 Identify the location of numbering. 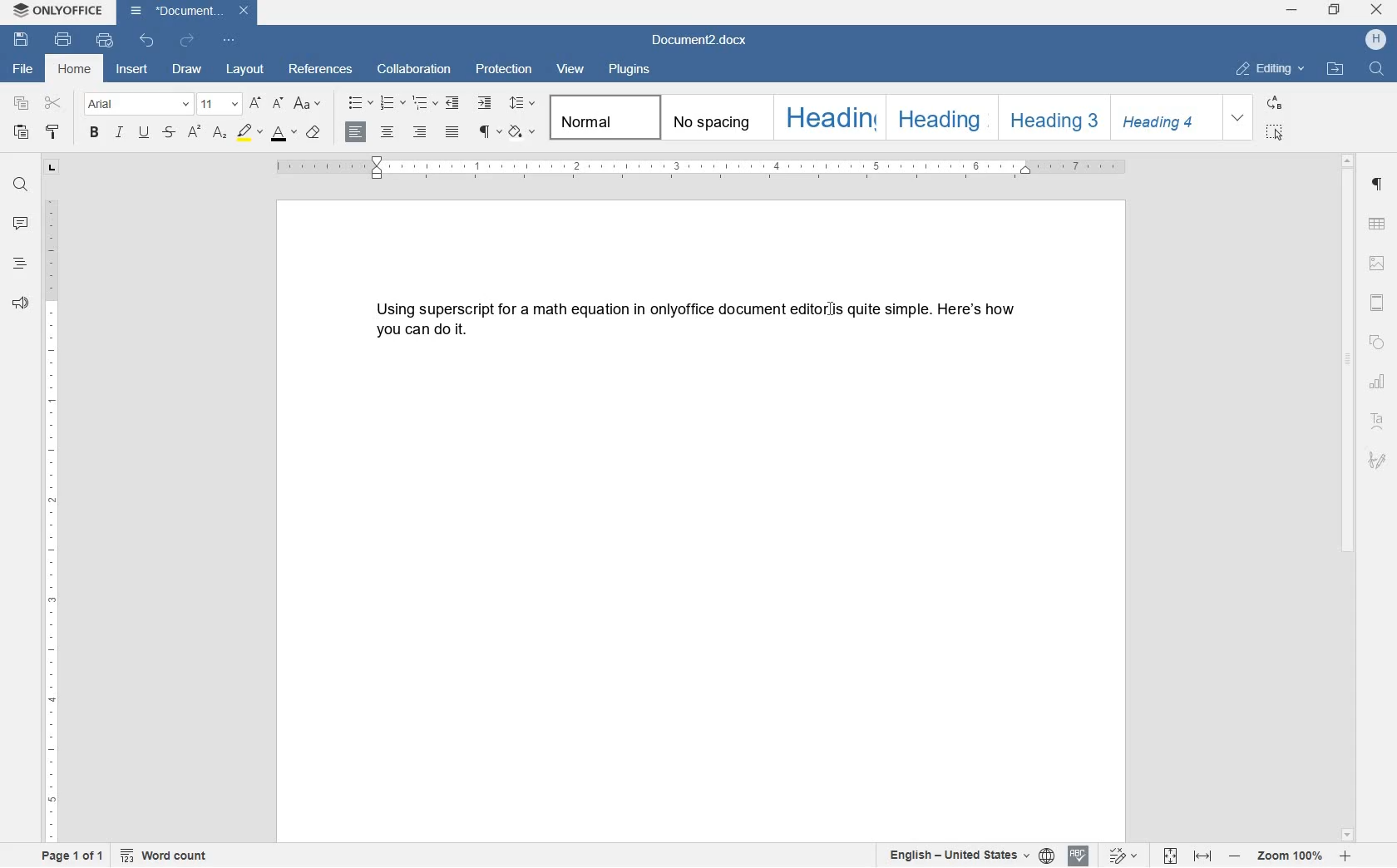
(392, 102).